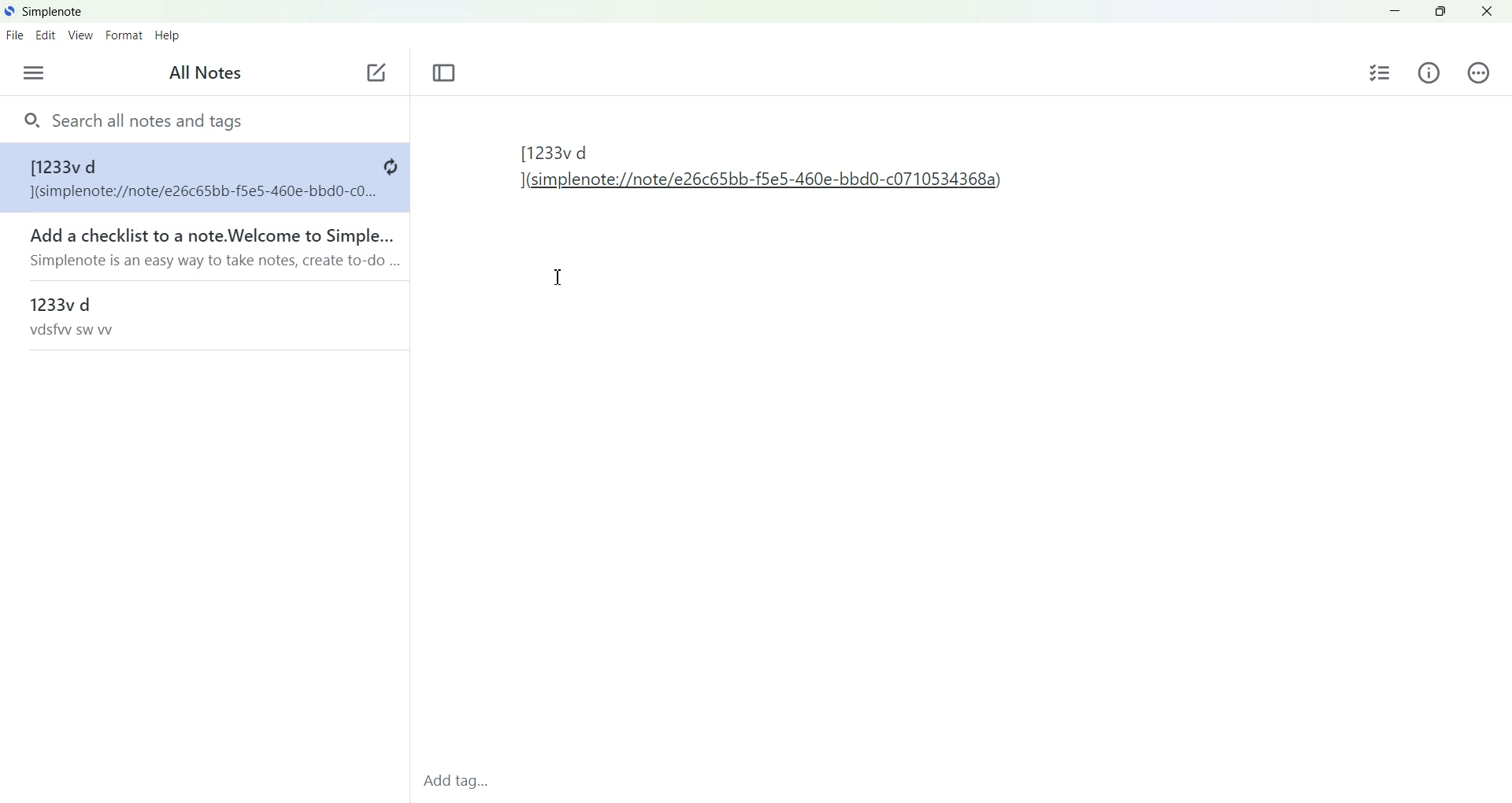  Describe the element at coordinates (14, 35) in the screenshot. I see `File` at that location.